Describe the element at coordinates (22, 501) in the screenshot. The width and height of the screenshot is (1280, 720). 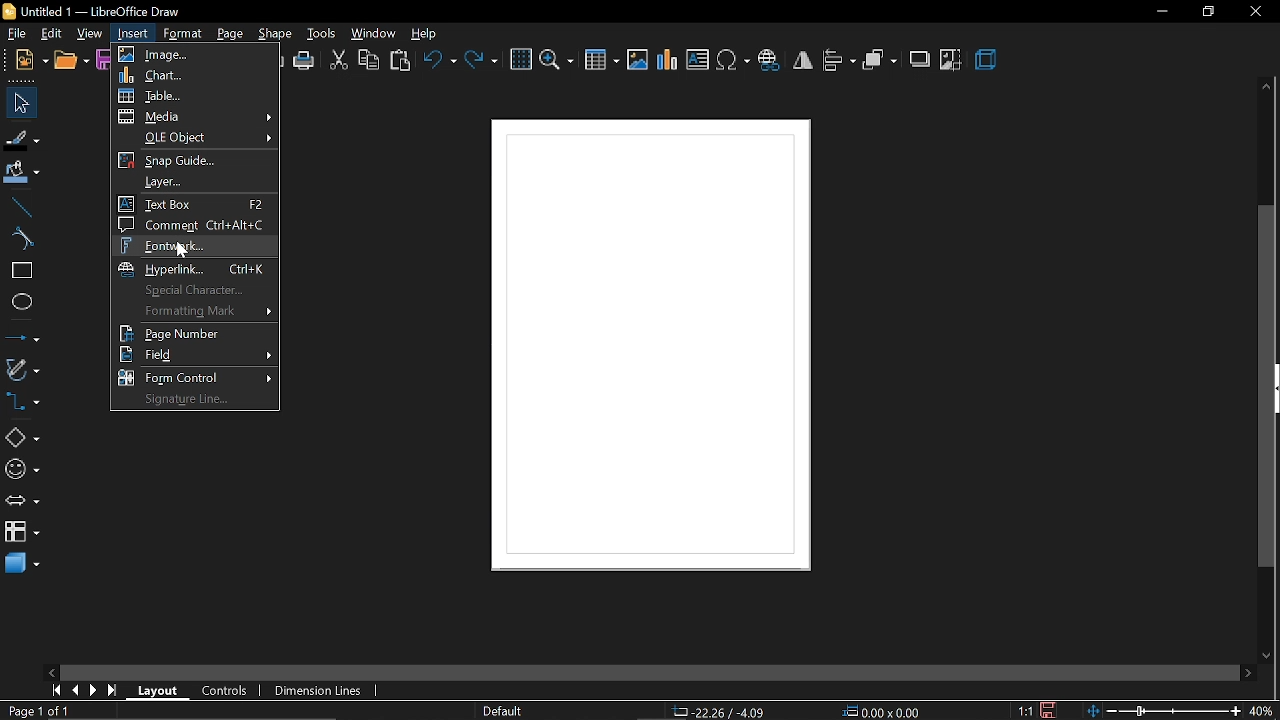
I see `arrows` at that location.